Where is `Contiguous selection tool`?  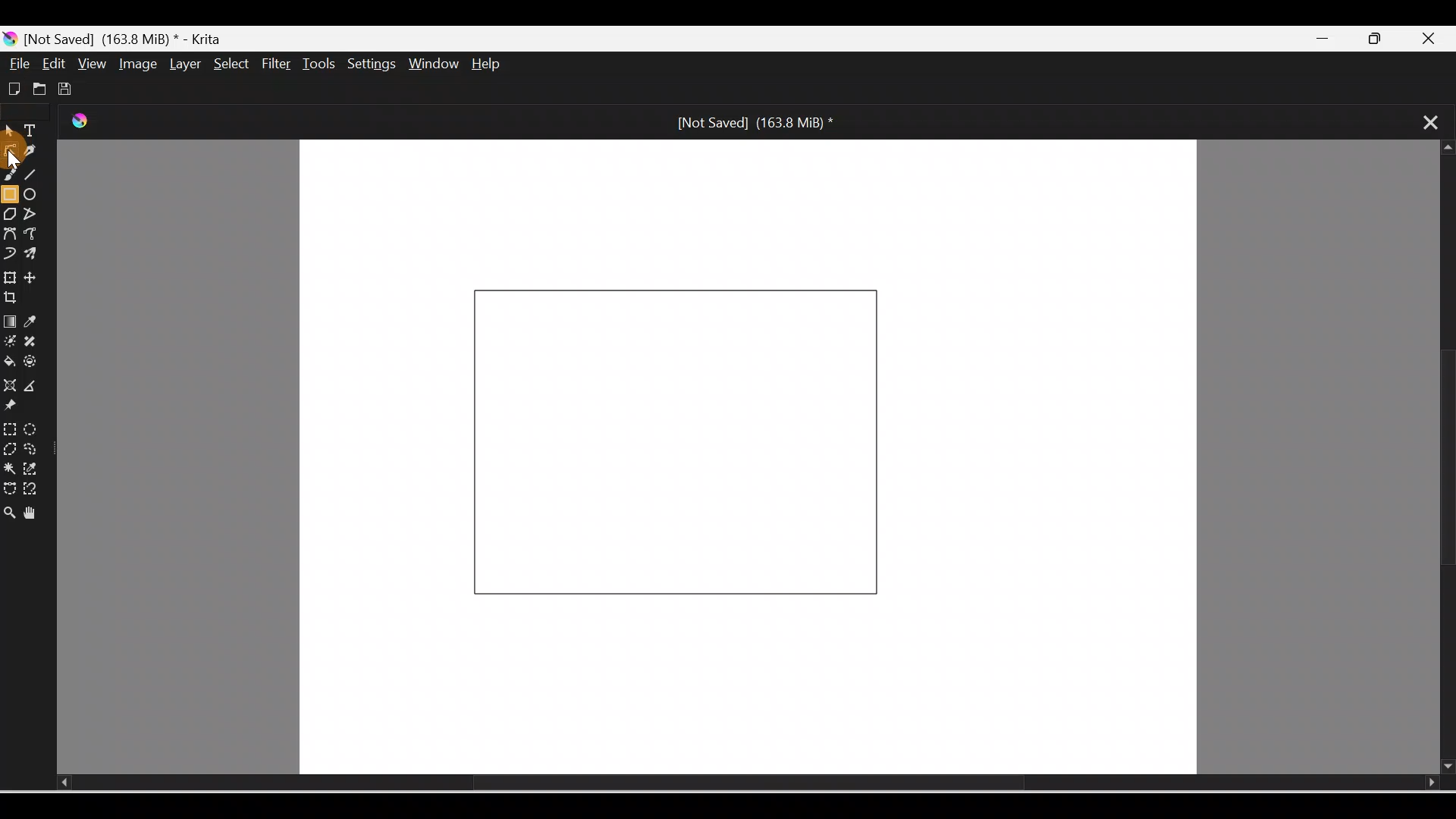
Contiguous selection tool is located at coordinates (9, 467).